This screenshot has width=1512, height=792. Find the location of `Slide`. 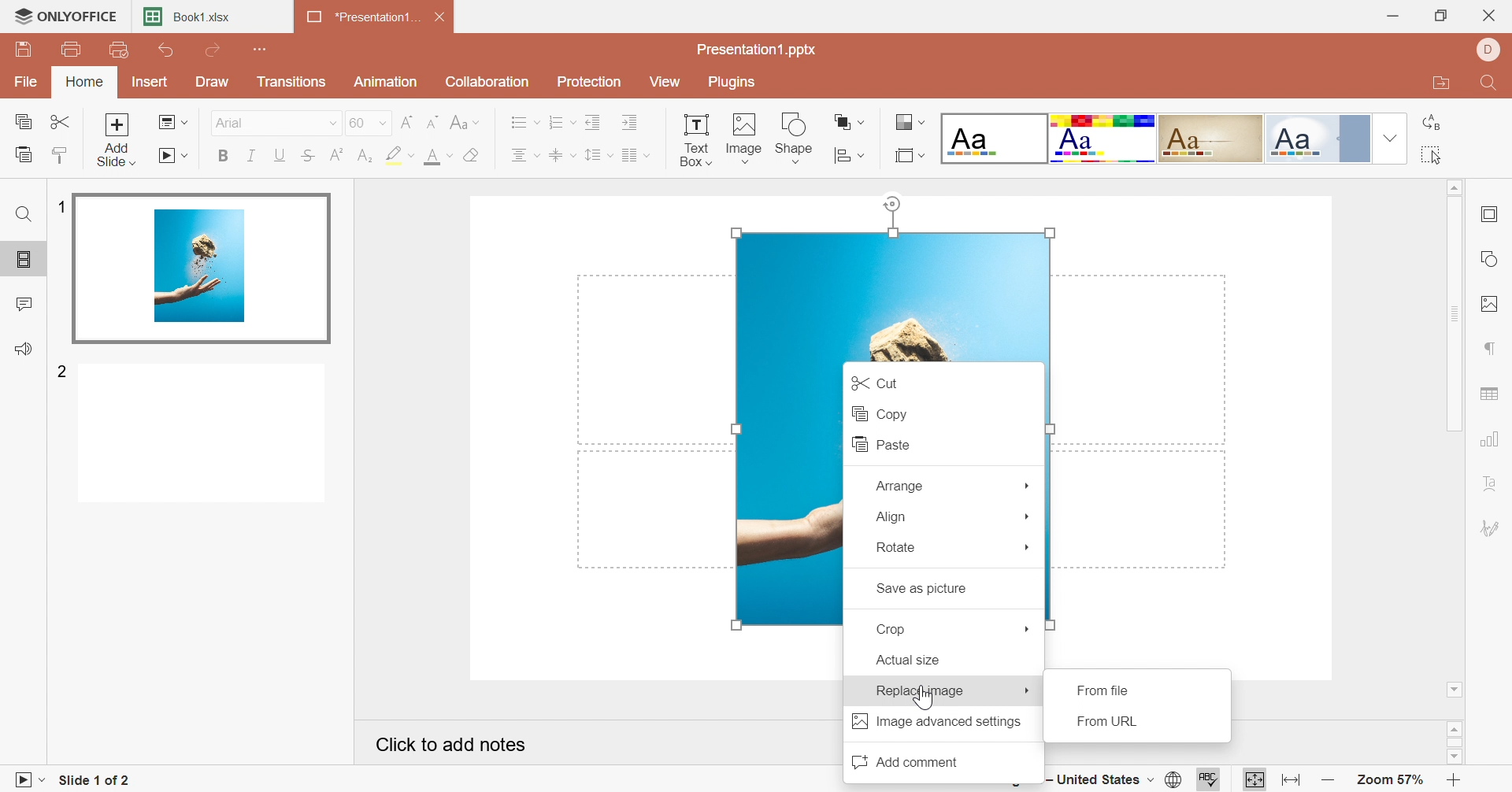

Slide is located at coordinates (204, 265).